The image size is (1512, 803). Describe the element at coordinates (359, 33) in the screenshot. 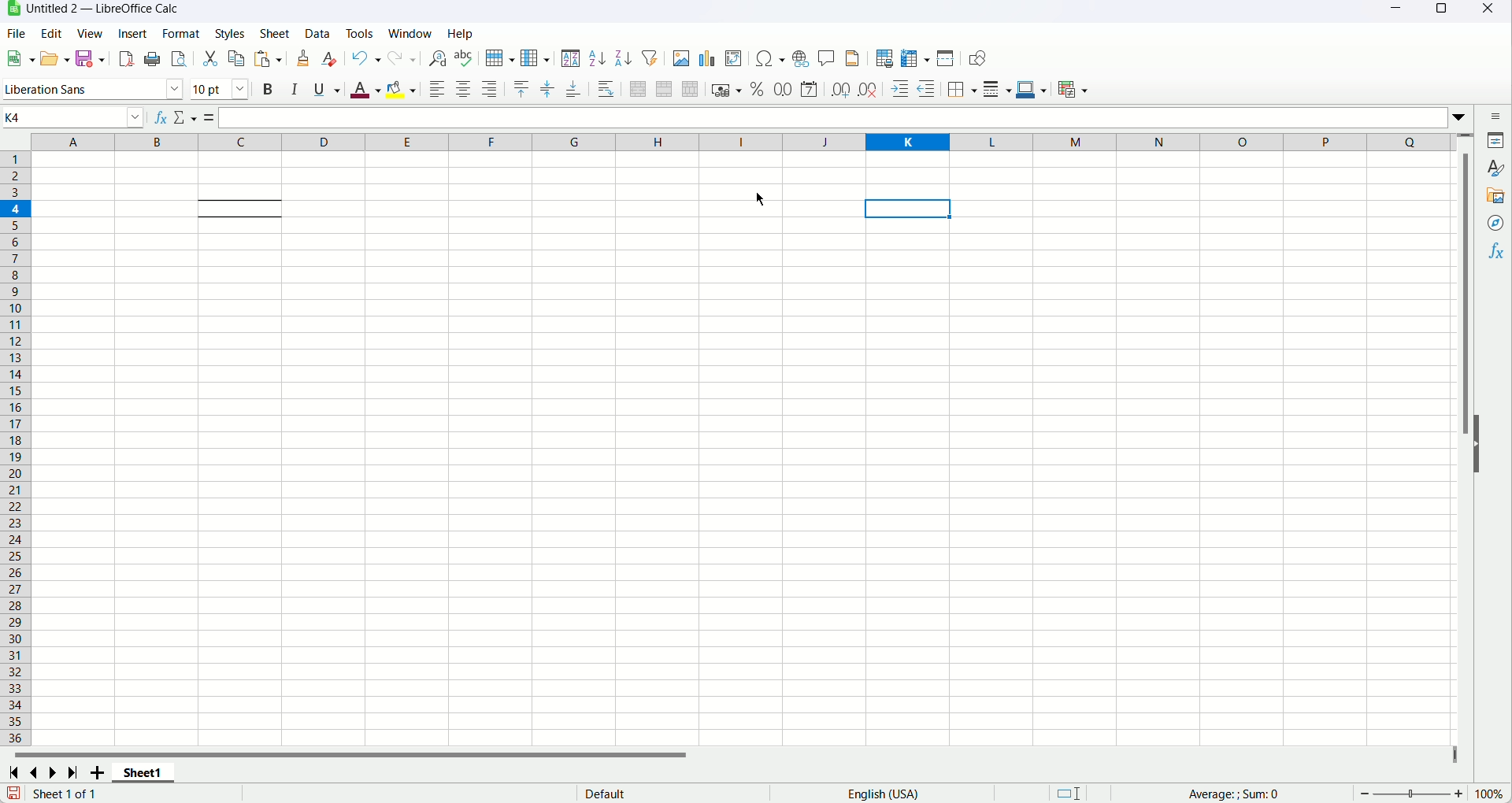

I see `Tools` at that location.